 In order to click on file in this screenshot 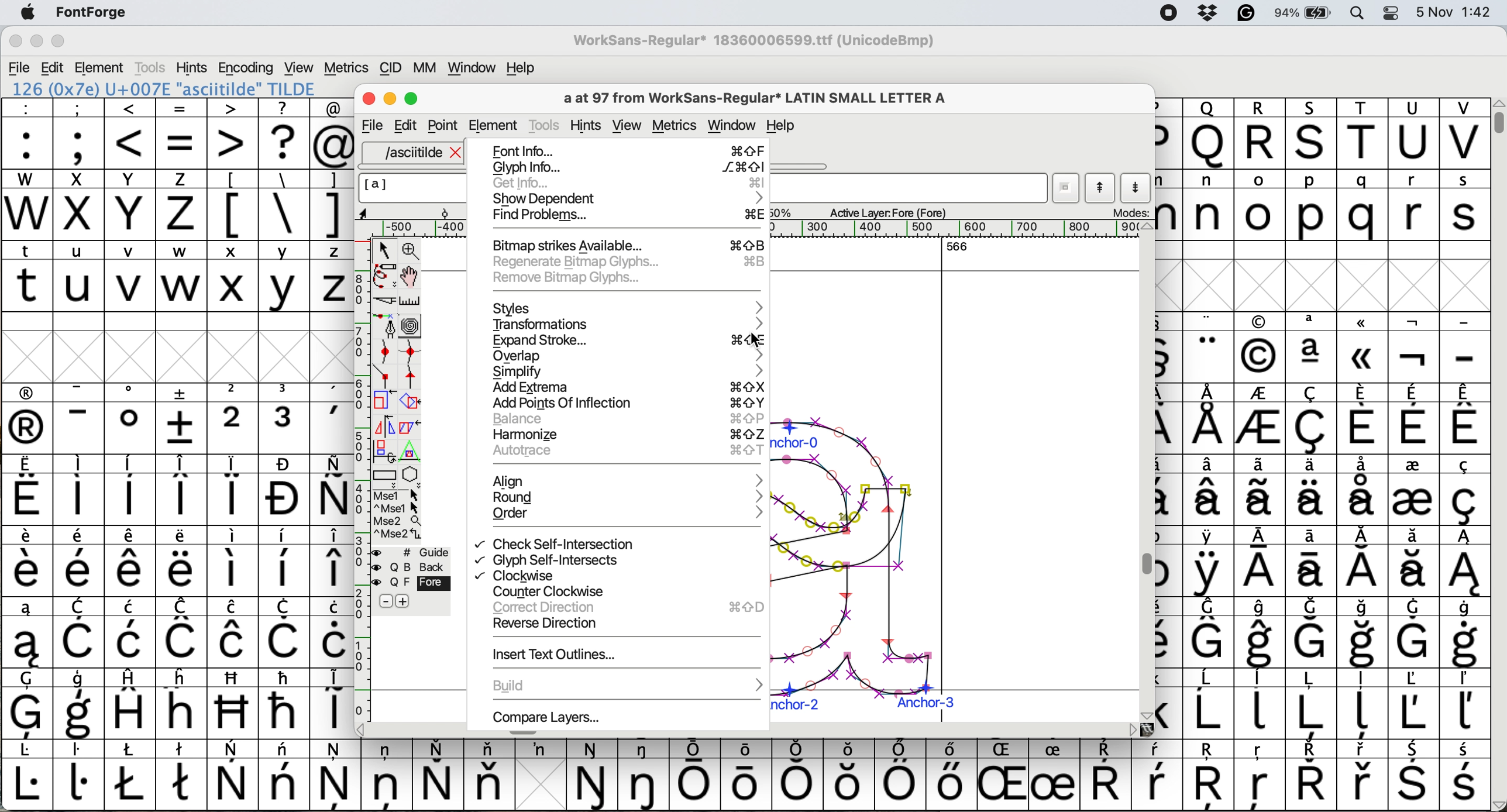, I will do `click(370, 126)`.